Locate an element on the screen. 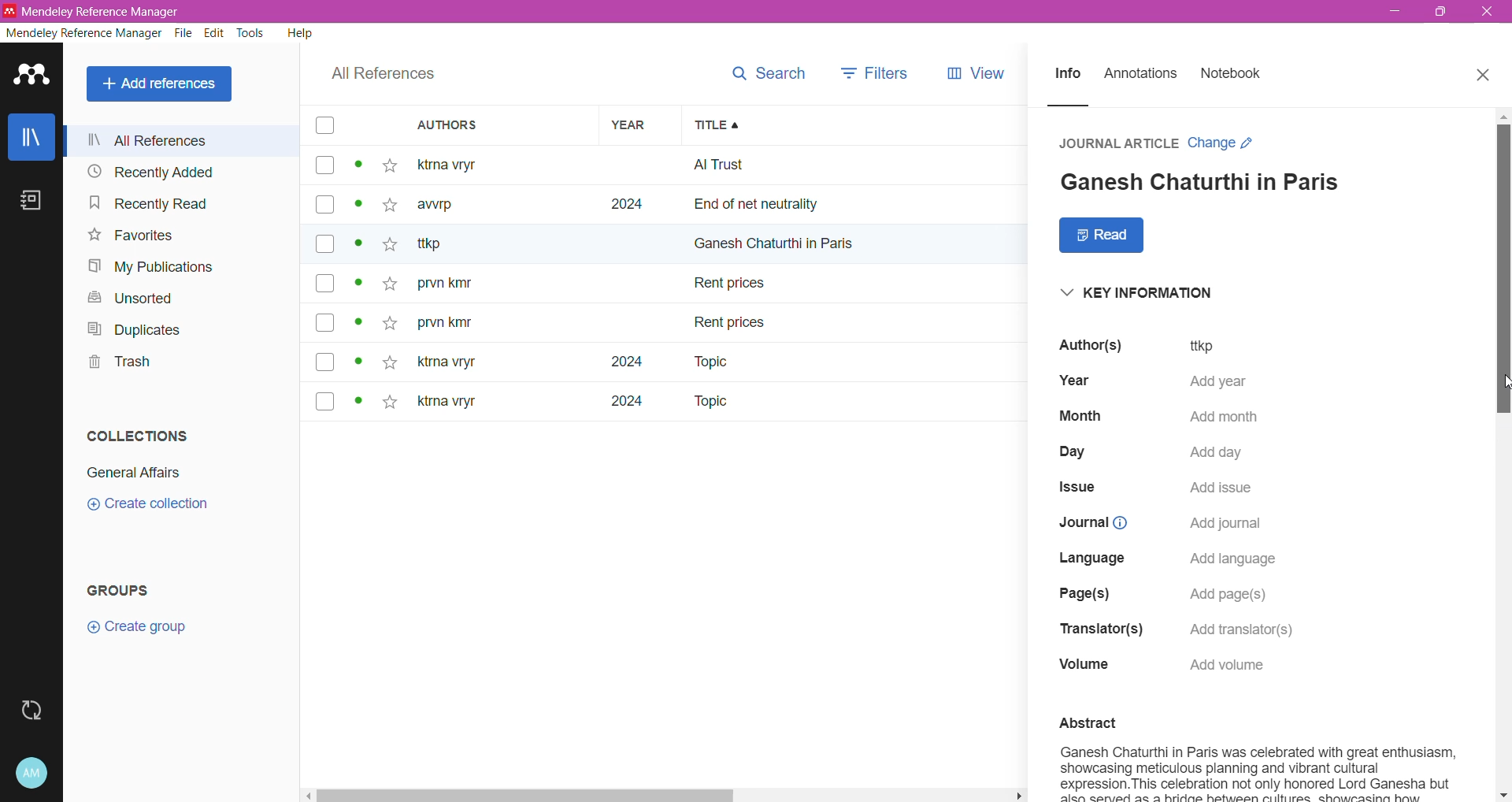 This screenshot has width=1512, height=802. Recently Read is located at coordinates (149, 204).